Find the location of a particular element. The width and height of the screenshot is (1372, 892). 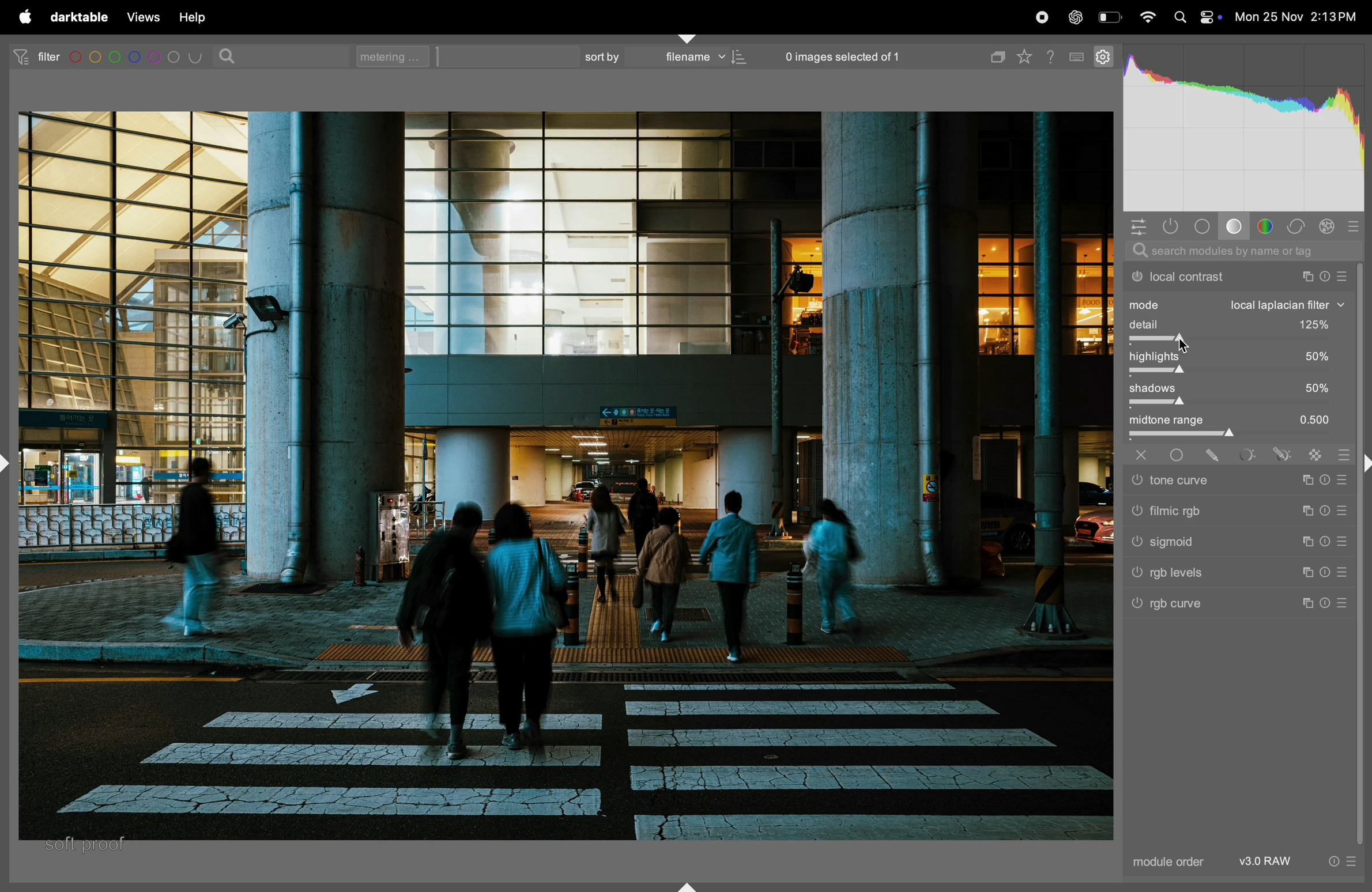

date and time is located at coordinates (1298, 17).